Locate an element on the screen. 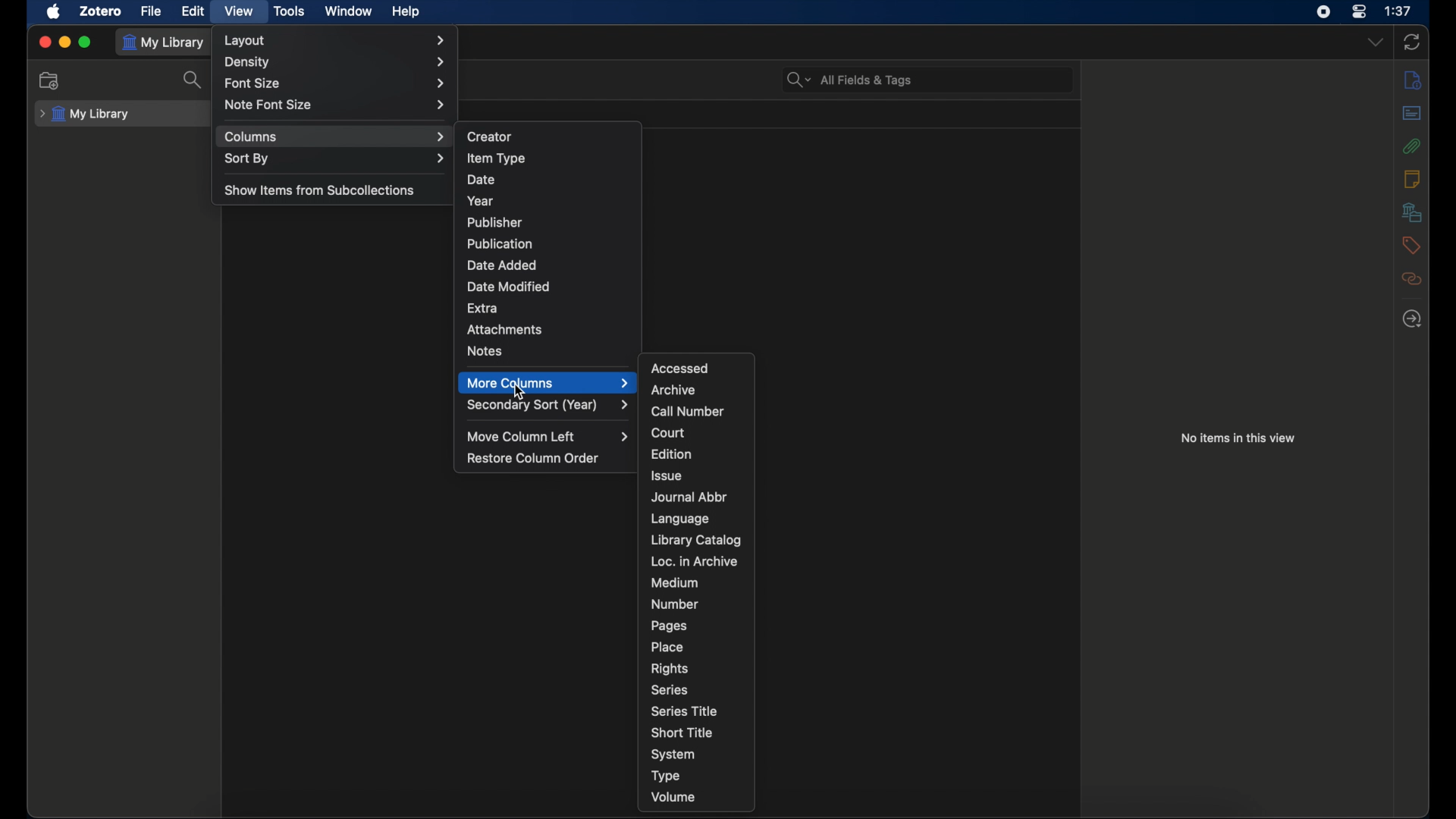 The width and height of the screenshot is (1456, 819). notes is located at coordinates (485, 351).